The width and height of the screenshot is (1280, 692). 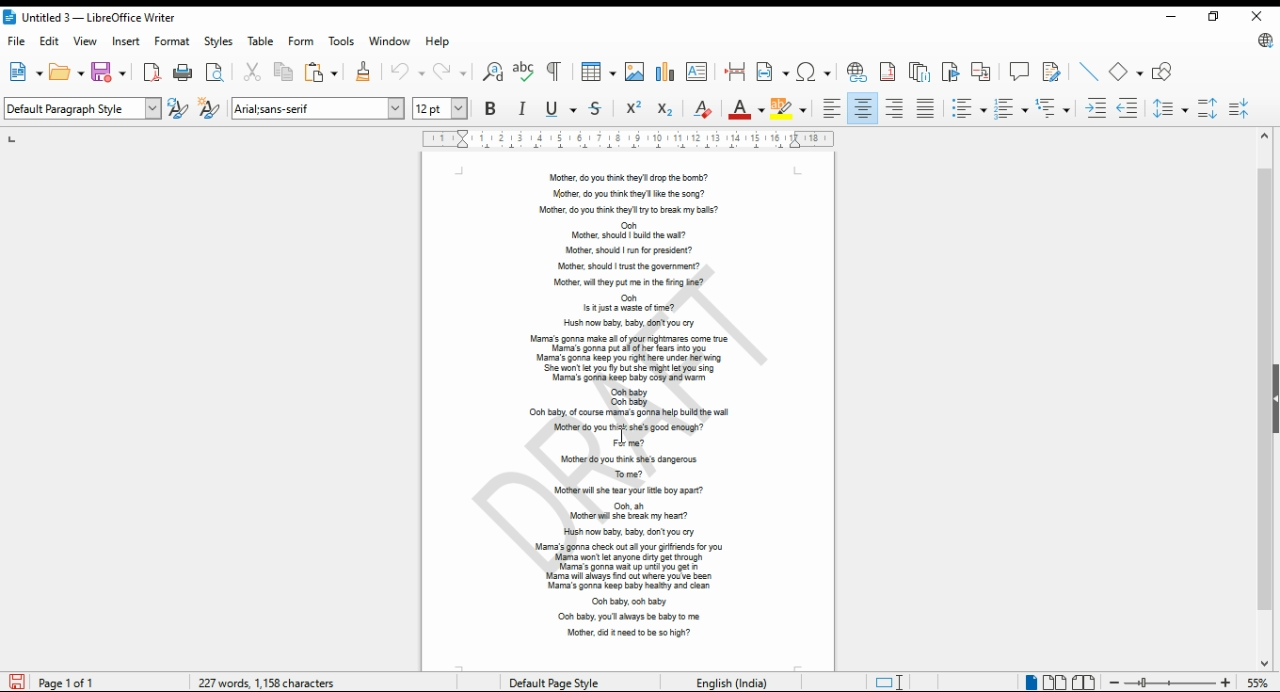 What do you see at coordinates (527, 72) in the screenshot?
I see `check spelling` at bounding box center [527, 72].